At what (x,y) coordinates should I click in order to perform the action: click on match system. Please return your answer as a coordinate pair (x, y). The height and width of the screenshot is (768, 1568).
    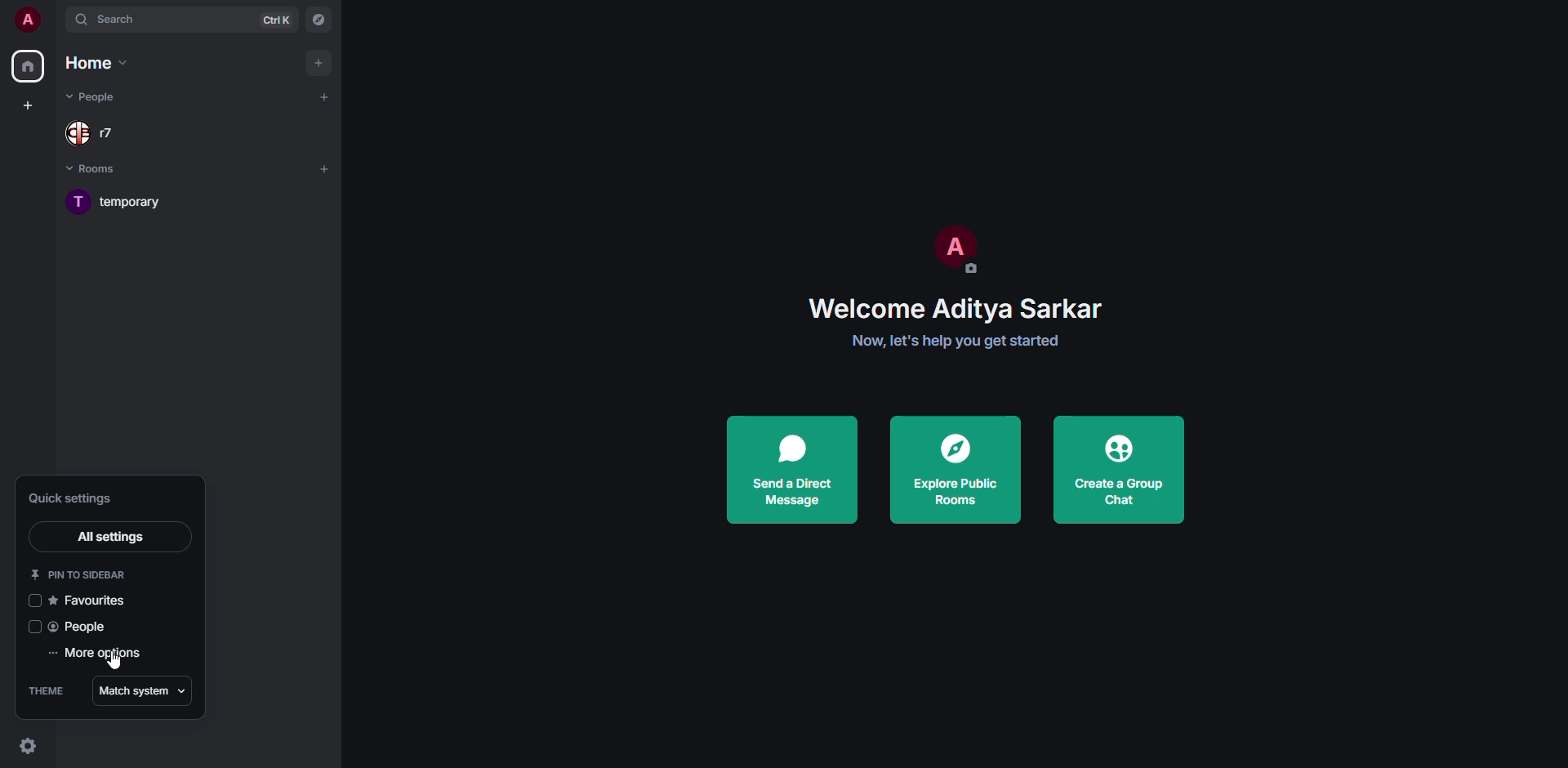
    Looking at the image, I should click on (145, 690).